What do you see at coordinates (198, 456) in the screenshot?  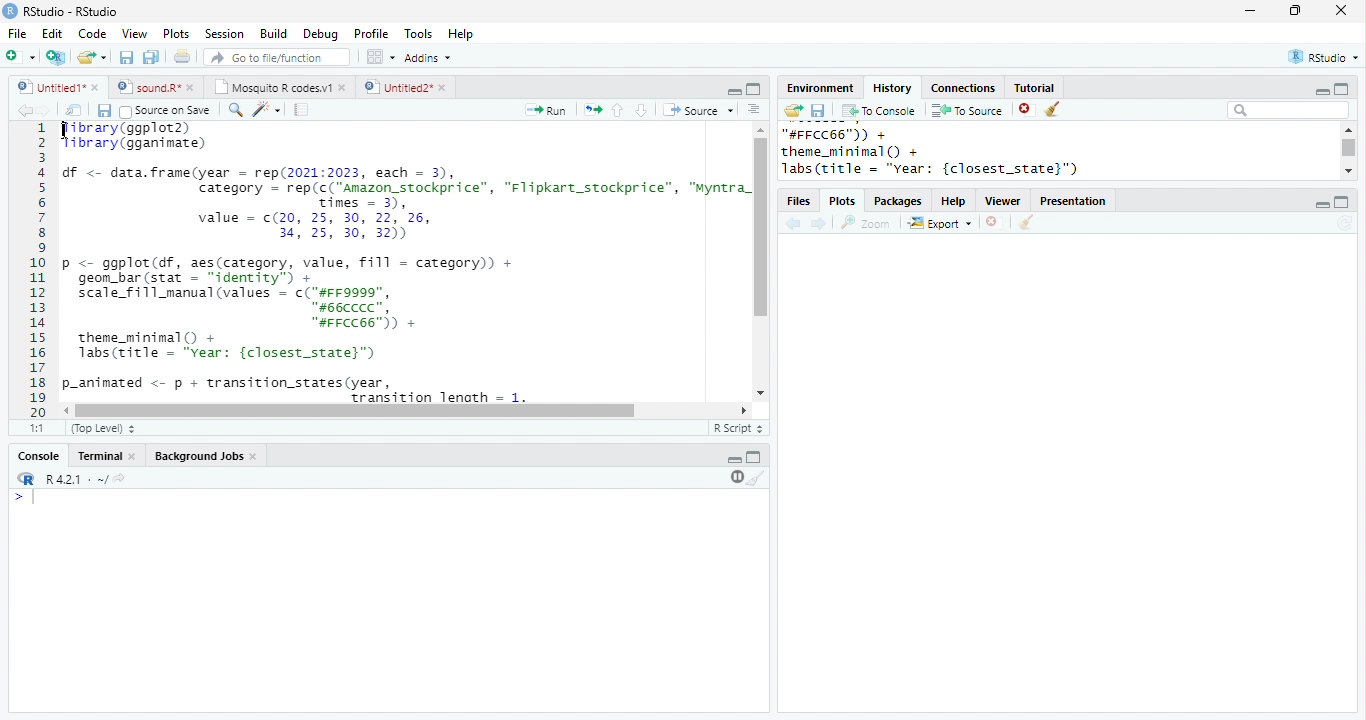 I see `Background Jobs` at bounding box center [198, 456].